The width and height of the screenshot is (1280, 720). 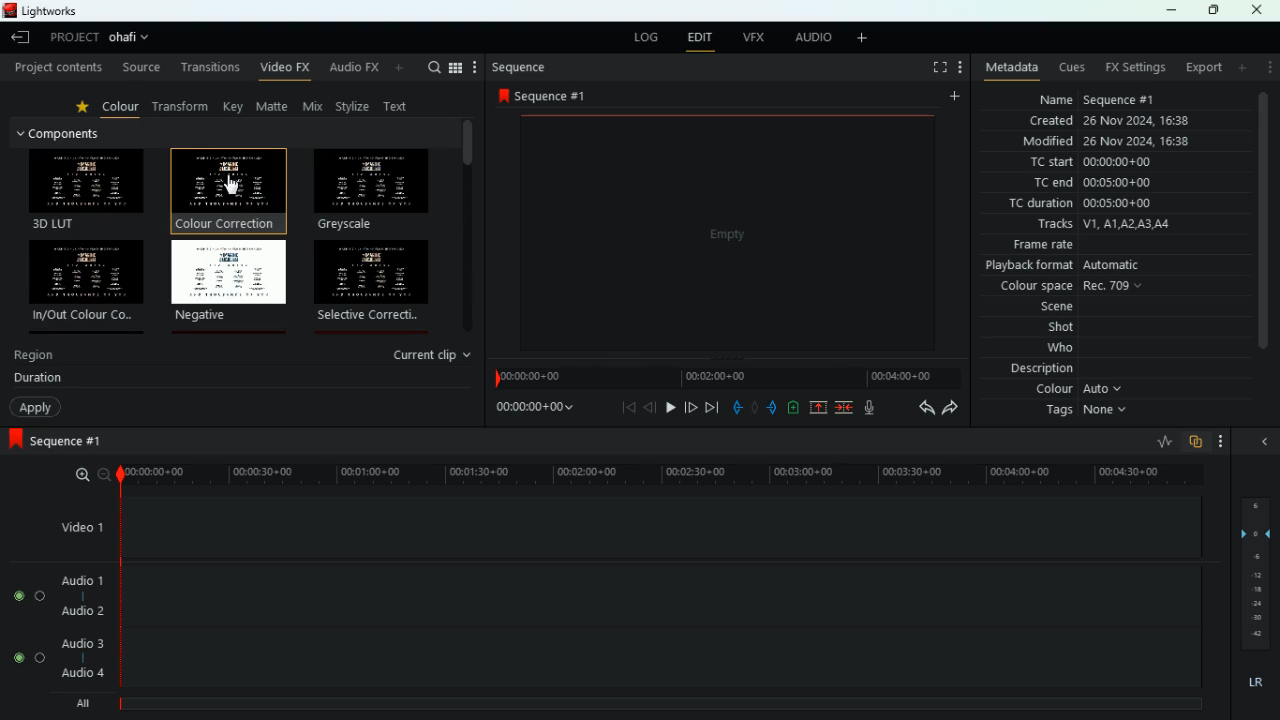 I want to click on matte, so click(x=274, y=107).